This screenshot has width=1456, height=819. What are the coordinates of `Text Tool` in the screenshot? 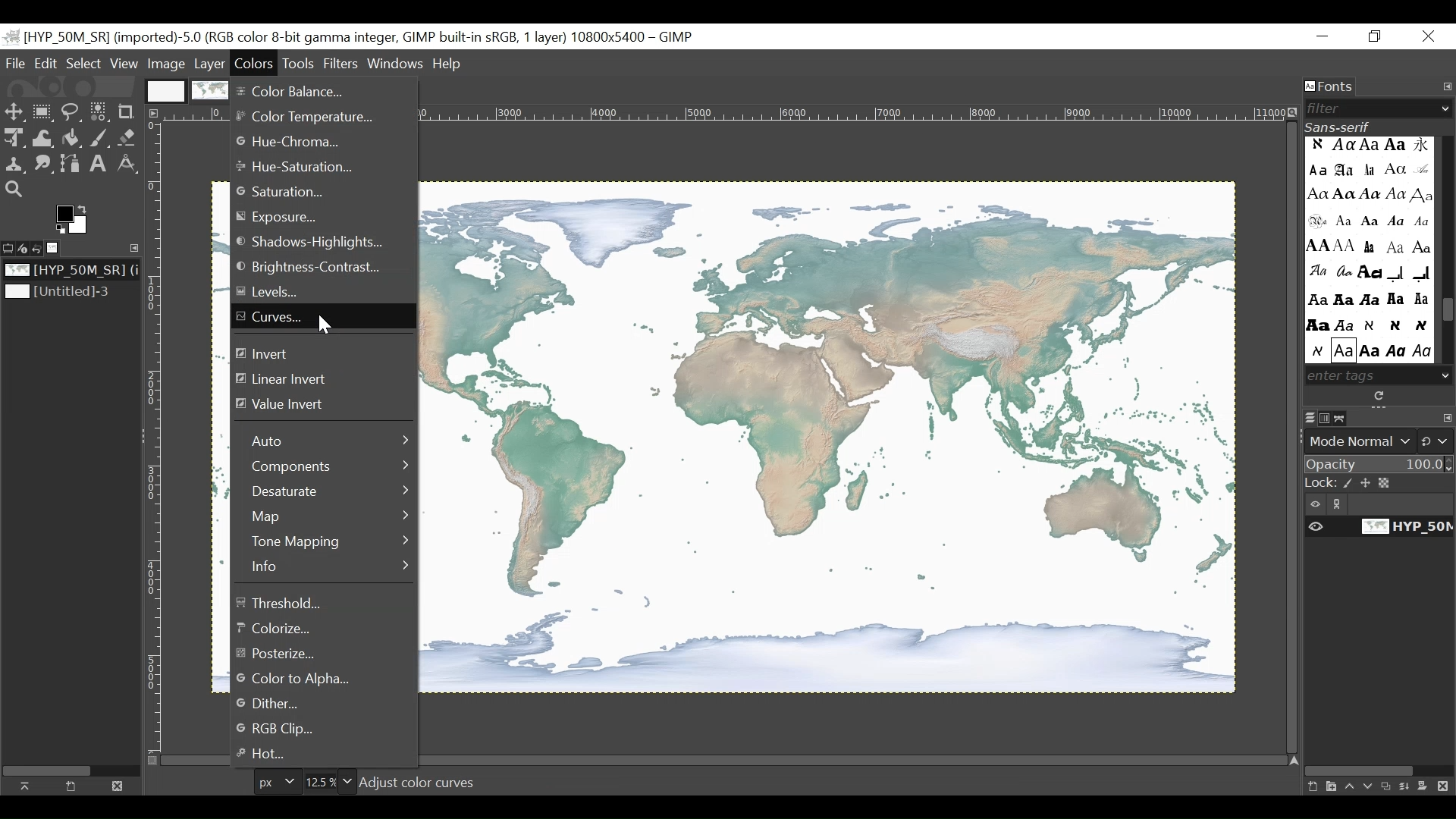 It's located at (99, 165).